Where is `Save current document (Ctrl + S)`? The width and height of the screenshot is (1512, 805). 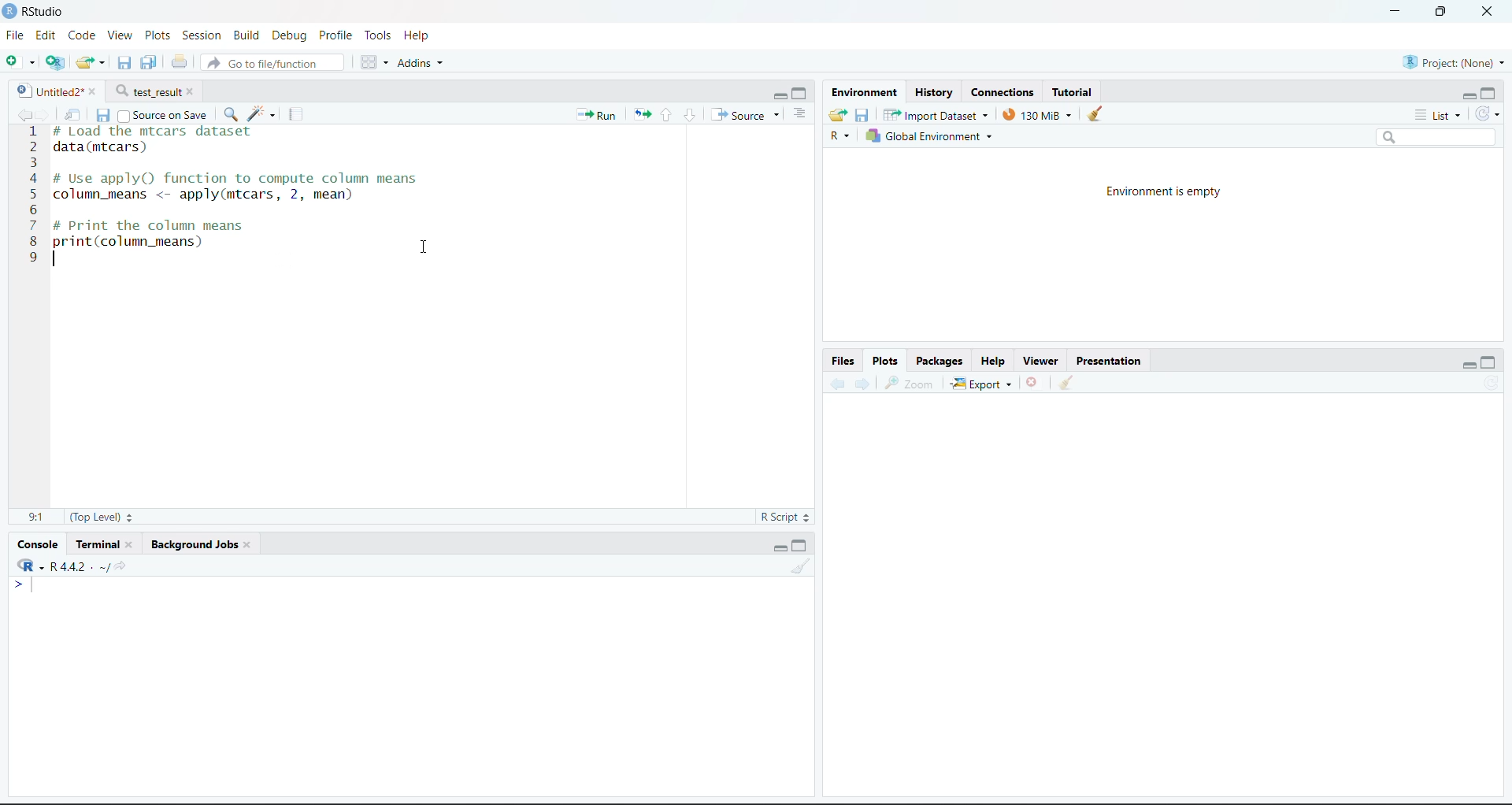 Save current document (Ctrl + S) is located at coordinates (150, 60).